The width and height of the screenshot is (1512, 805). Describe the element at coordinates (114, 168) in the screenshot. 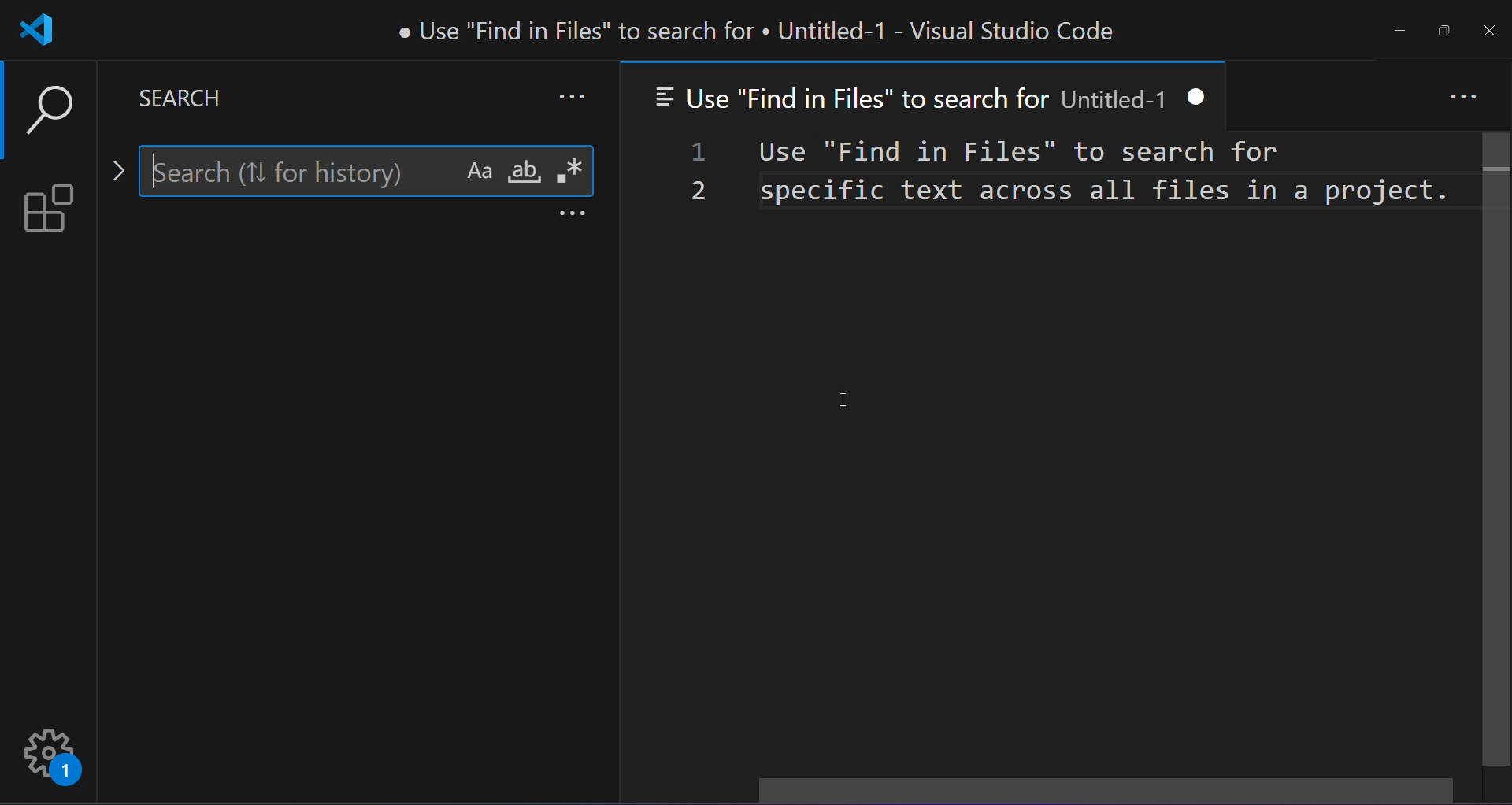

I see `toggle replace` at that location.